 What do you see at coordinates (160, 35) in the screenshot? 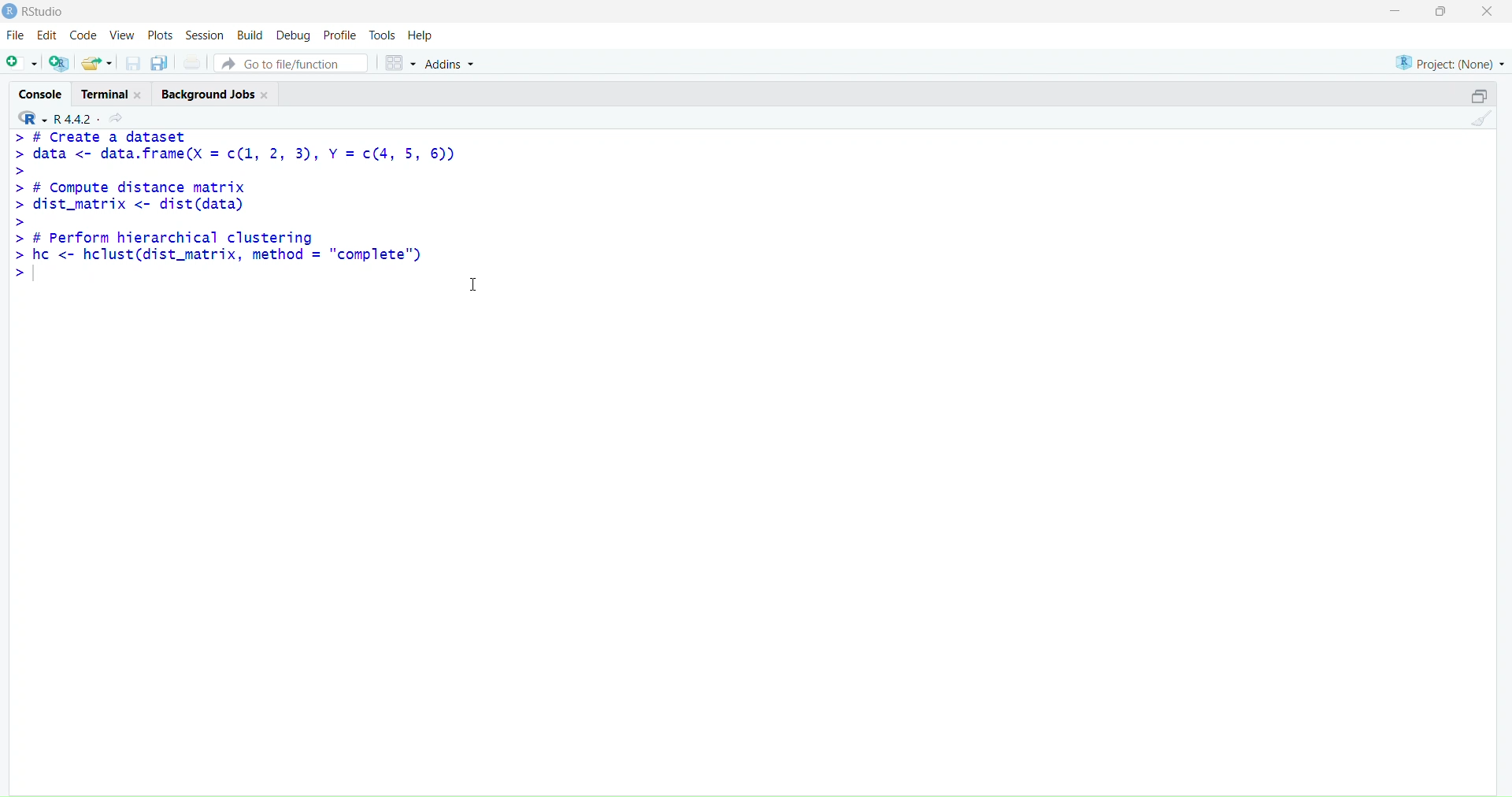
I see `Plots` at bounding box center [160, 35].